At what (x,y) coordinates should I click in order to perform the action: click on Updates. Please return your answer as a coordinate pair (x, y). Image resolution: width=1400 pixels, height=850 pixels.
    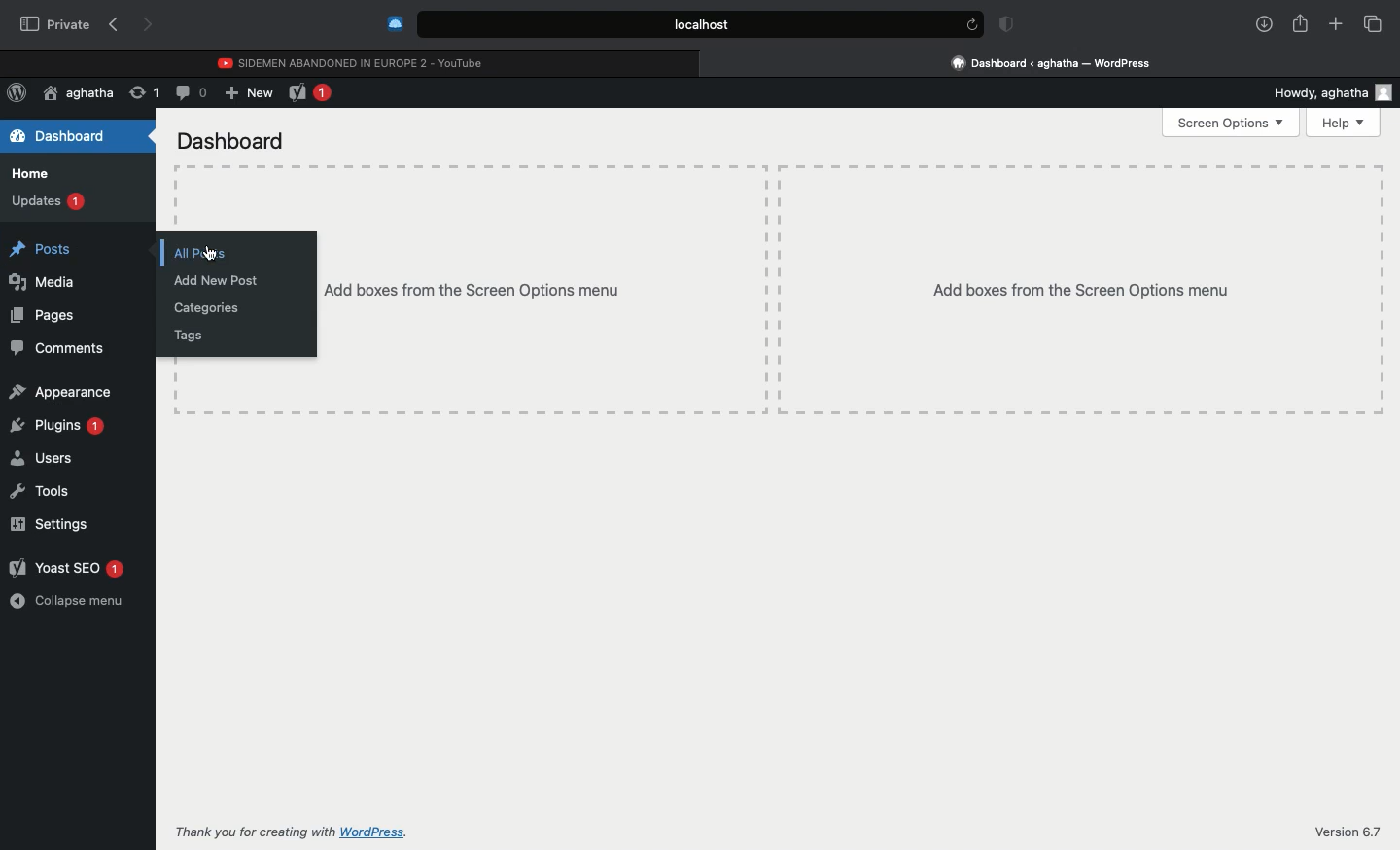
    Looking at the image, I should click on (47, 202).